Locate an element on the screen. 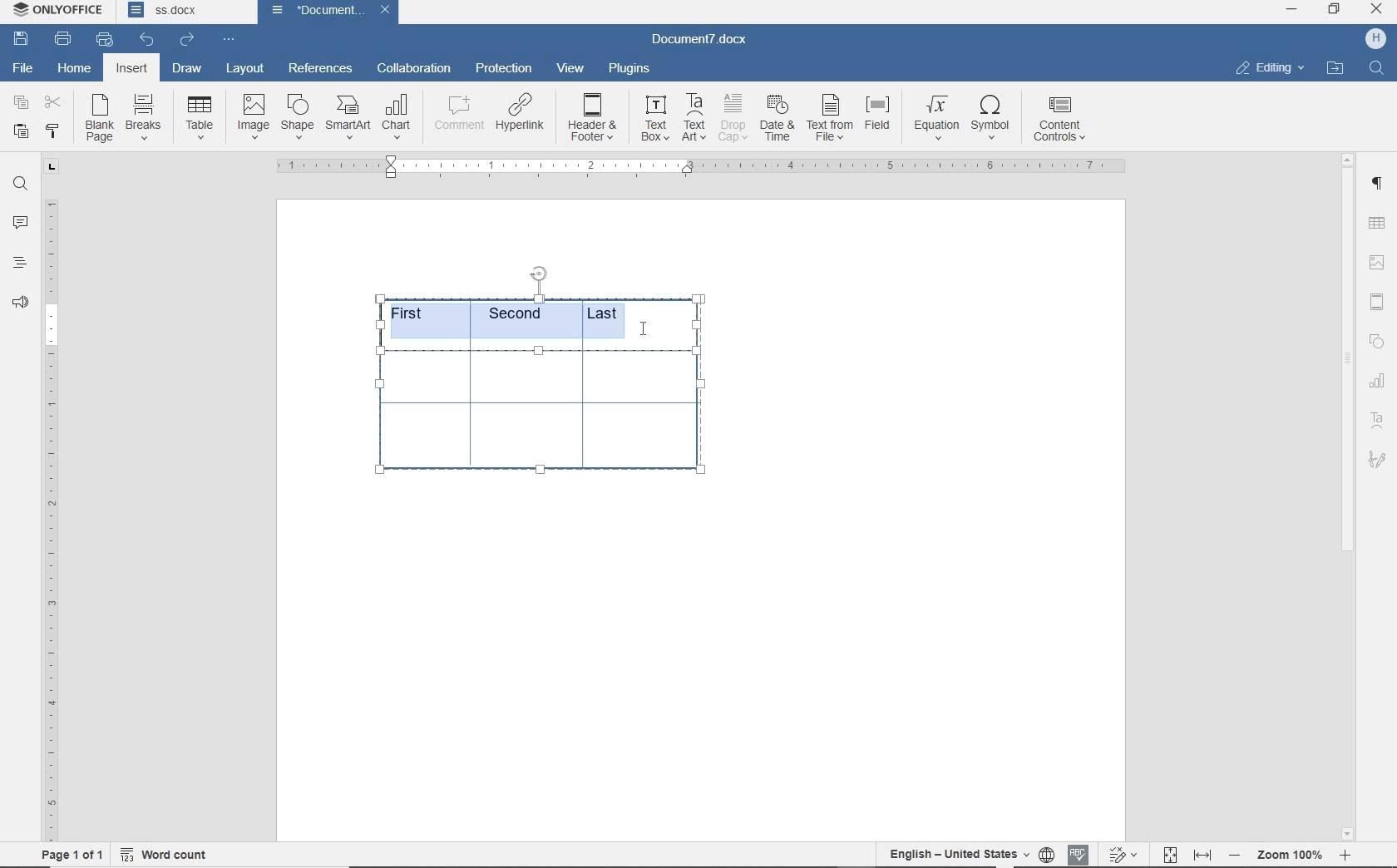  equation is located at coordinates (937, 119).